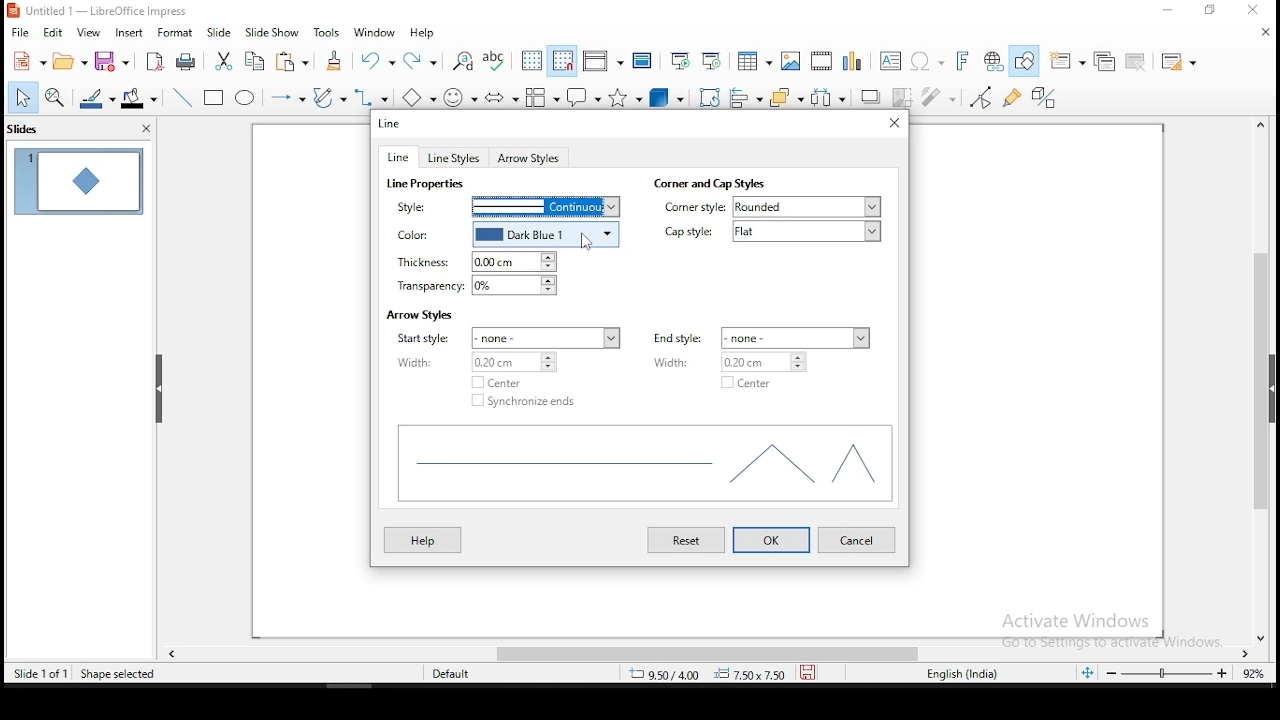 This screenshot has height=720, width=1280. Describe the element at coordinates (219, 31) in the screenshot. I see `slide` at that location.